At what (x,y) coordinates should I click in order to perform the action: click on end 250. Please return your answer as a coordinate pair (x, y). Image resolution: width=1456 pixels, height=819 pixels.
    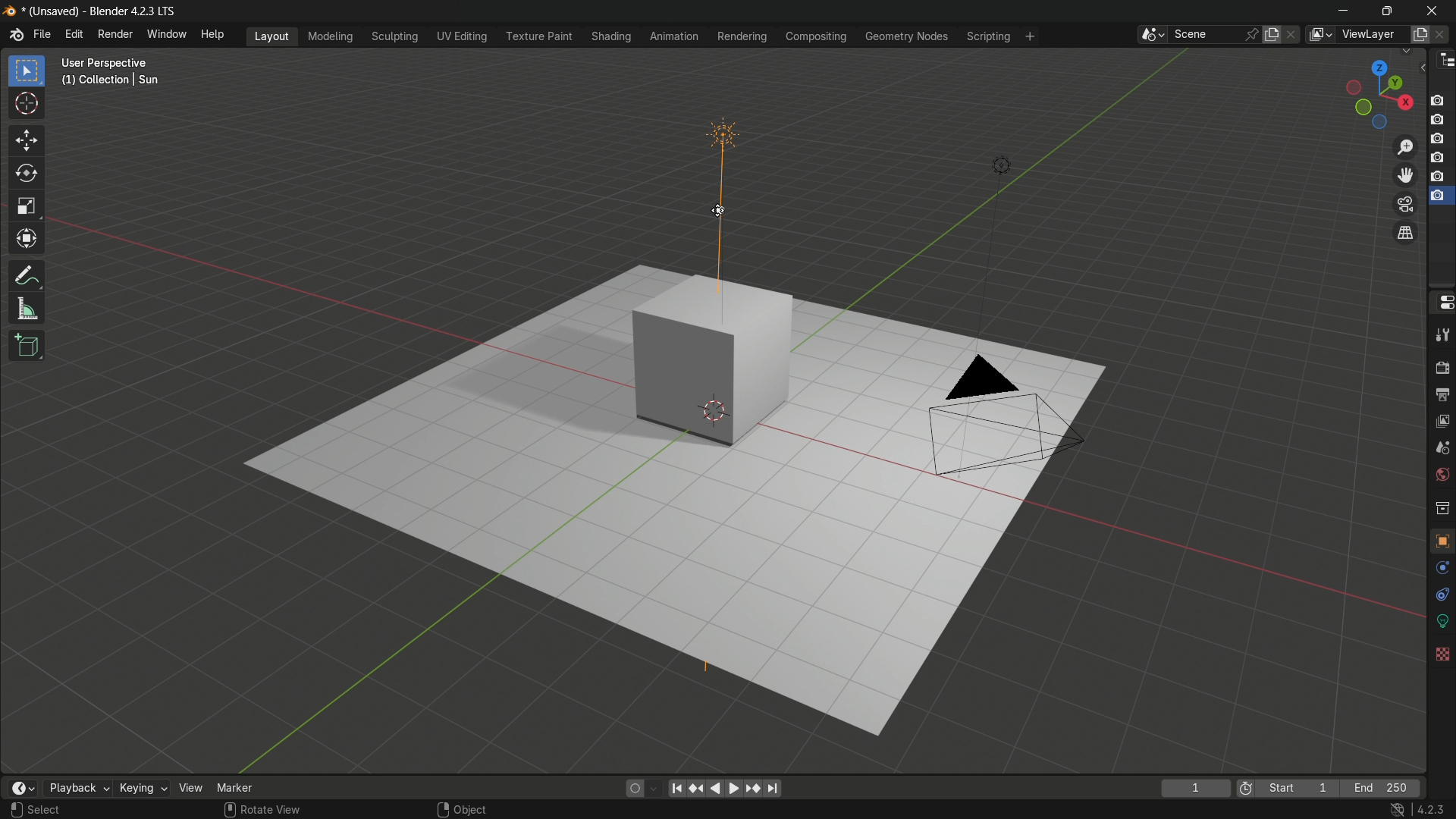
    Looking at the image, I should click on (1385, 787).